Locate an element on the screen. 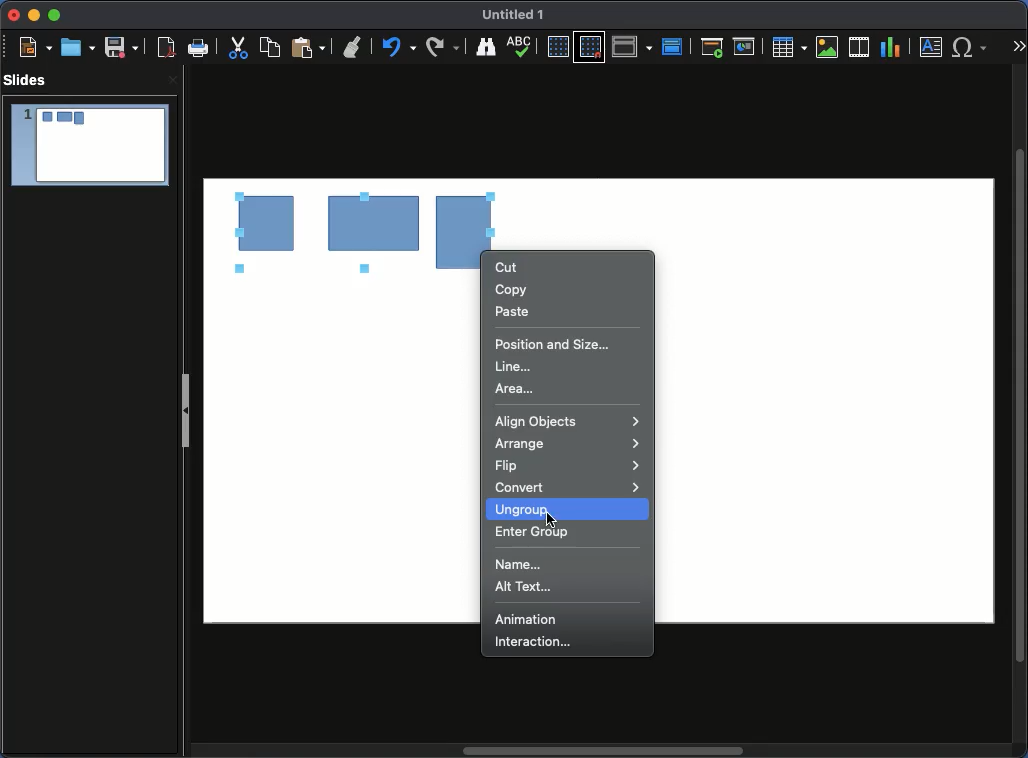 Image resolution: width=1028 pixels, height=758 pixels. Chart is located at coordinates (892, 48).